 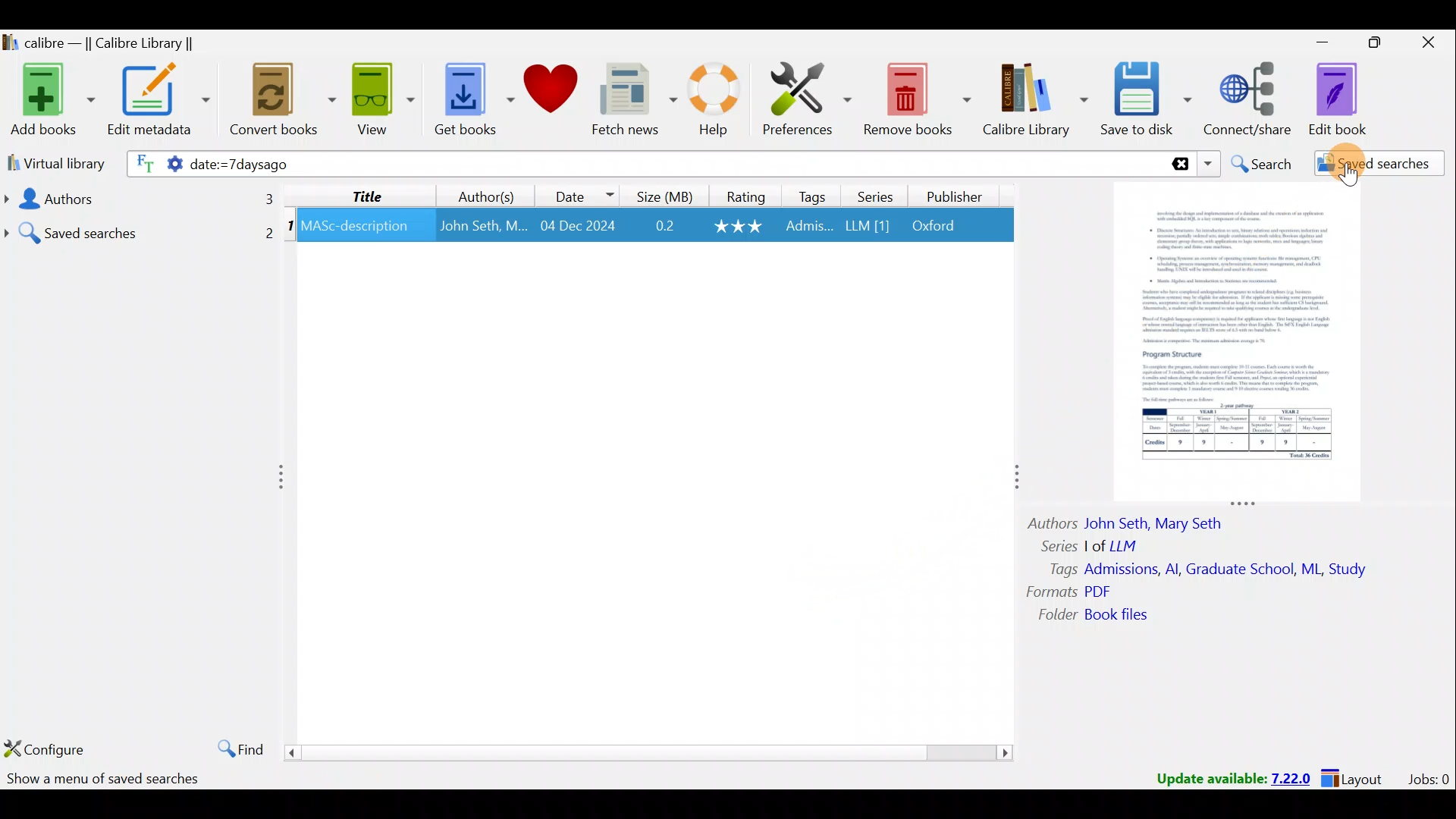 I want to click on Saved searches, so click(x=140, y=227).